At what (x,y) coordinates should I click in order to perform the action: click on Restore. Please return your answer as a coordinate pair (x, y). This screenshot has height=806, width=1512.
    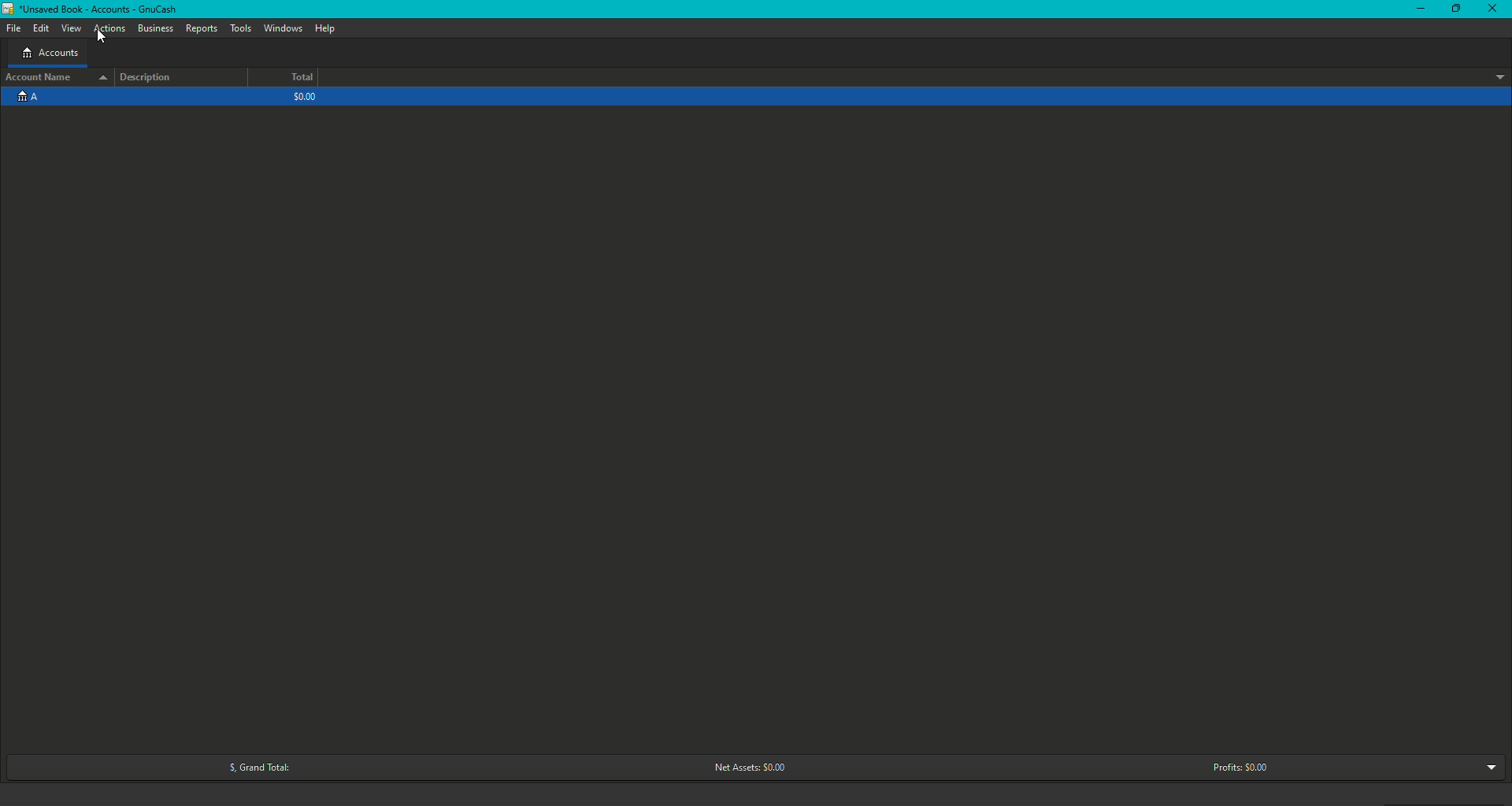
    Looking at the image, I should click on (1454, 9).